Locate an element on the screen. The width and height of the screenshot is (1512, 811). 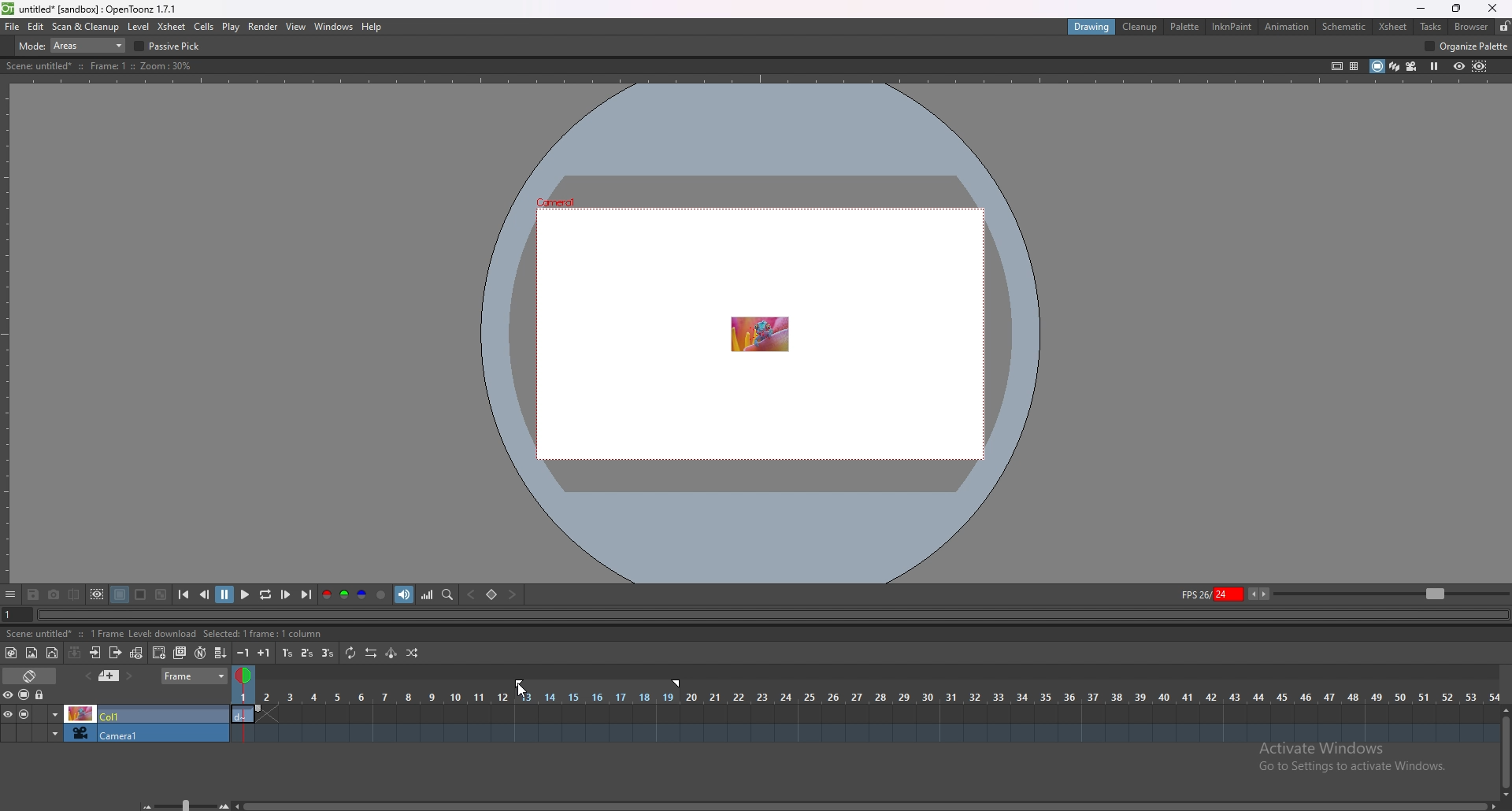
time is located at coordinates (865, 696).